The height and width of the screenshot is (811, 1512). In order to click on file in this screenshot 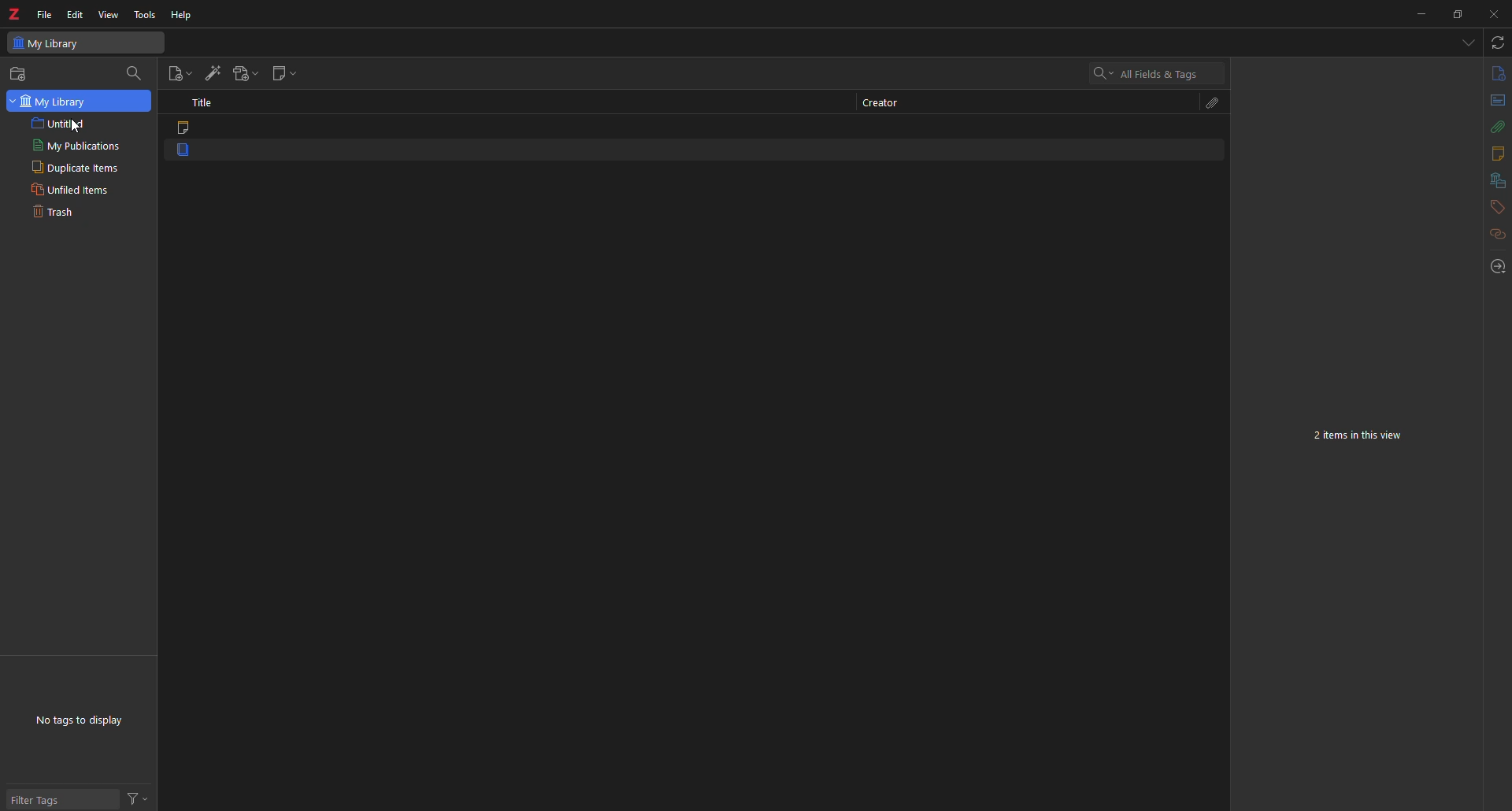, I will do `click(44, 13)`.